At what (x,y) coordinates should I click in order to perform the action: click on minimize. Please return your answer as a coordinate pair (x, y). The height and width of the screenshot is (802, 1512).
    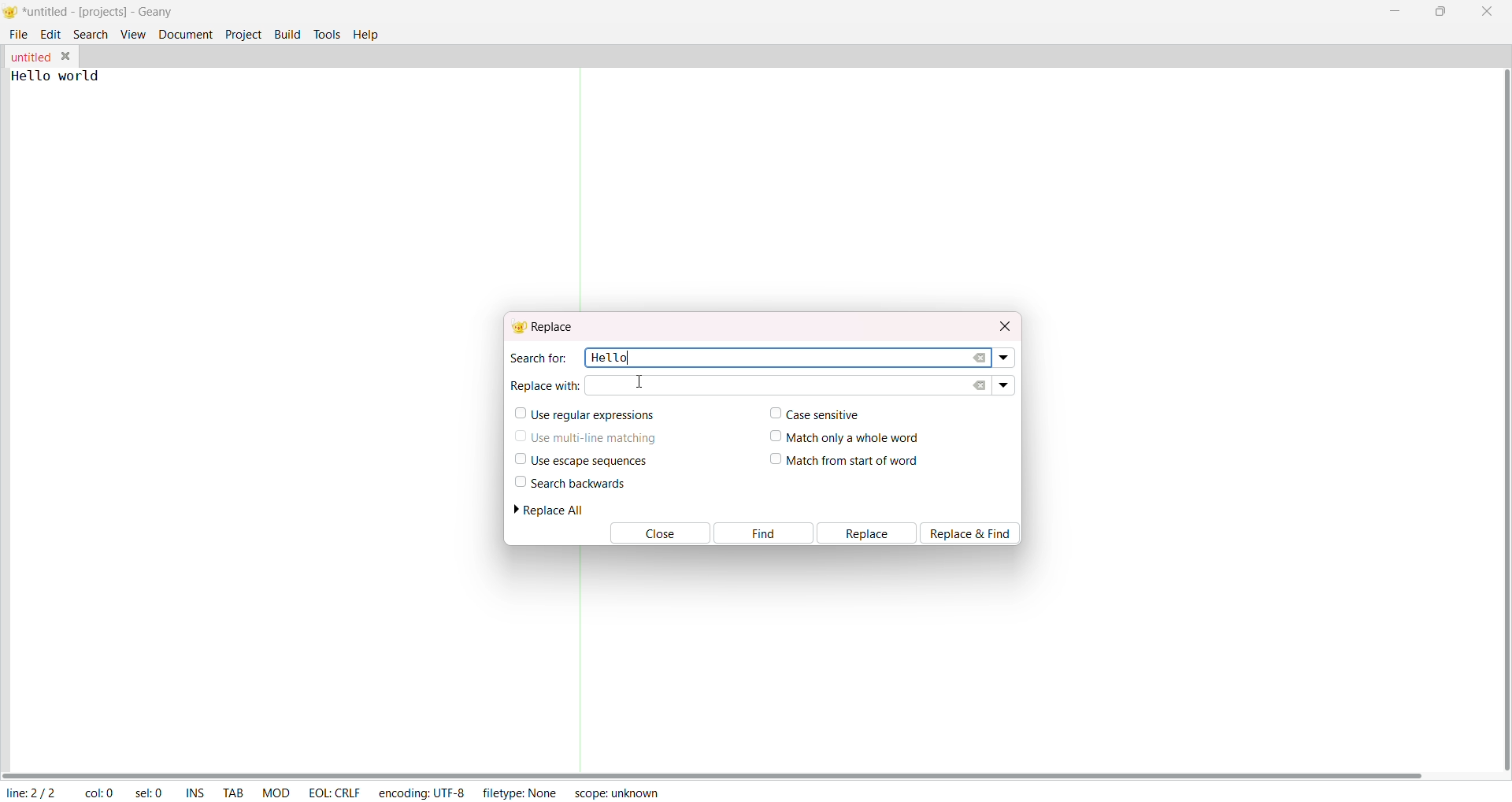
    Looking at the image, I should click on (1399, 9).